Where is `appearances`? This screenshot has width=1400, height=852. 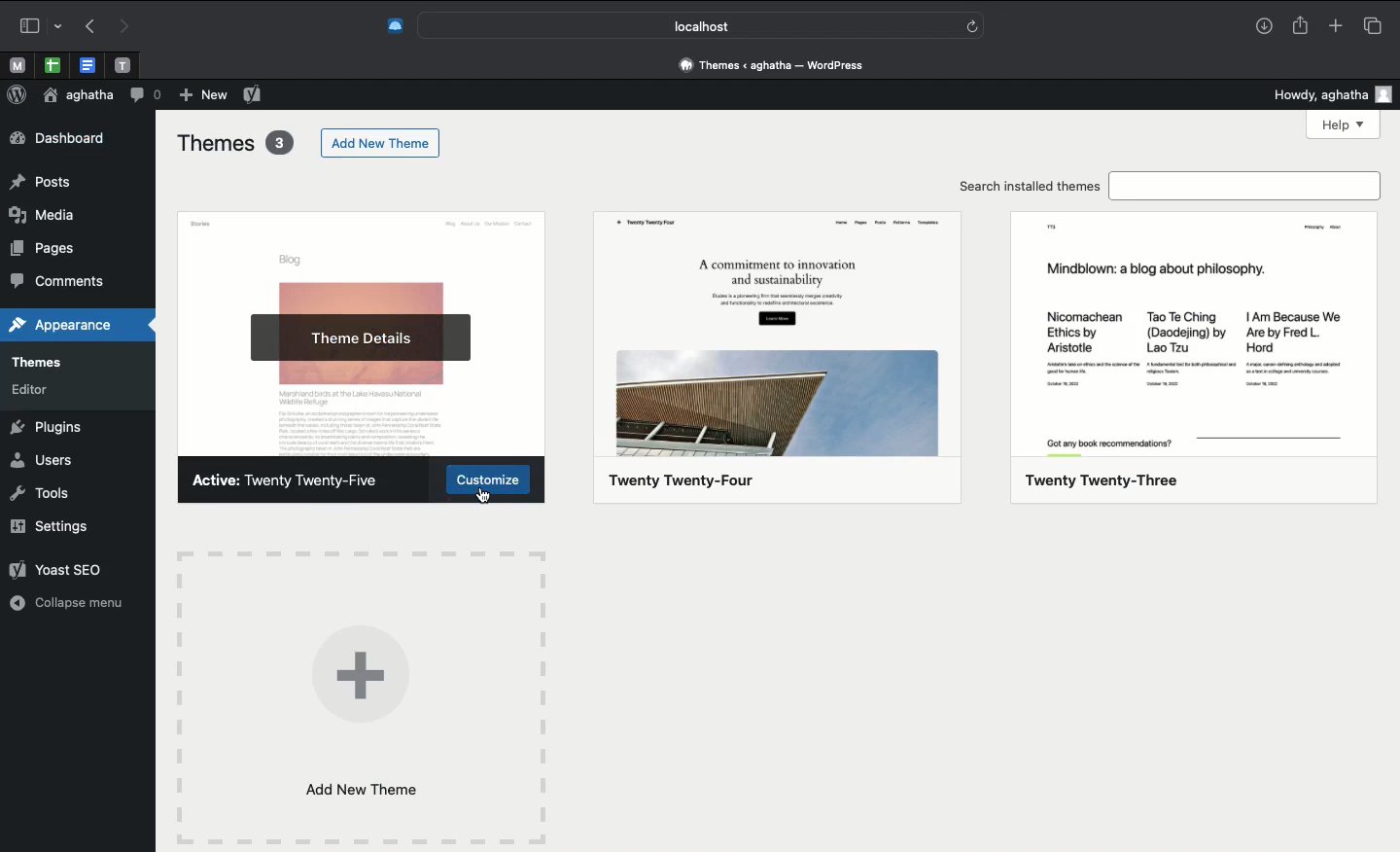
appearances is located at coordinates (61, 325).